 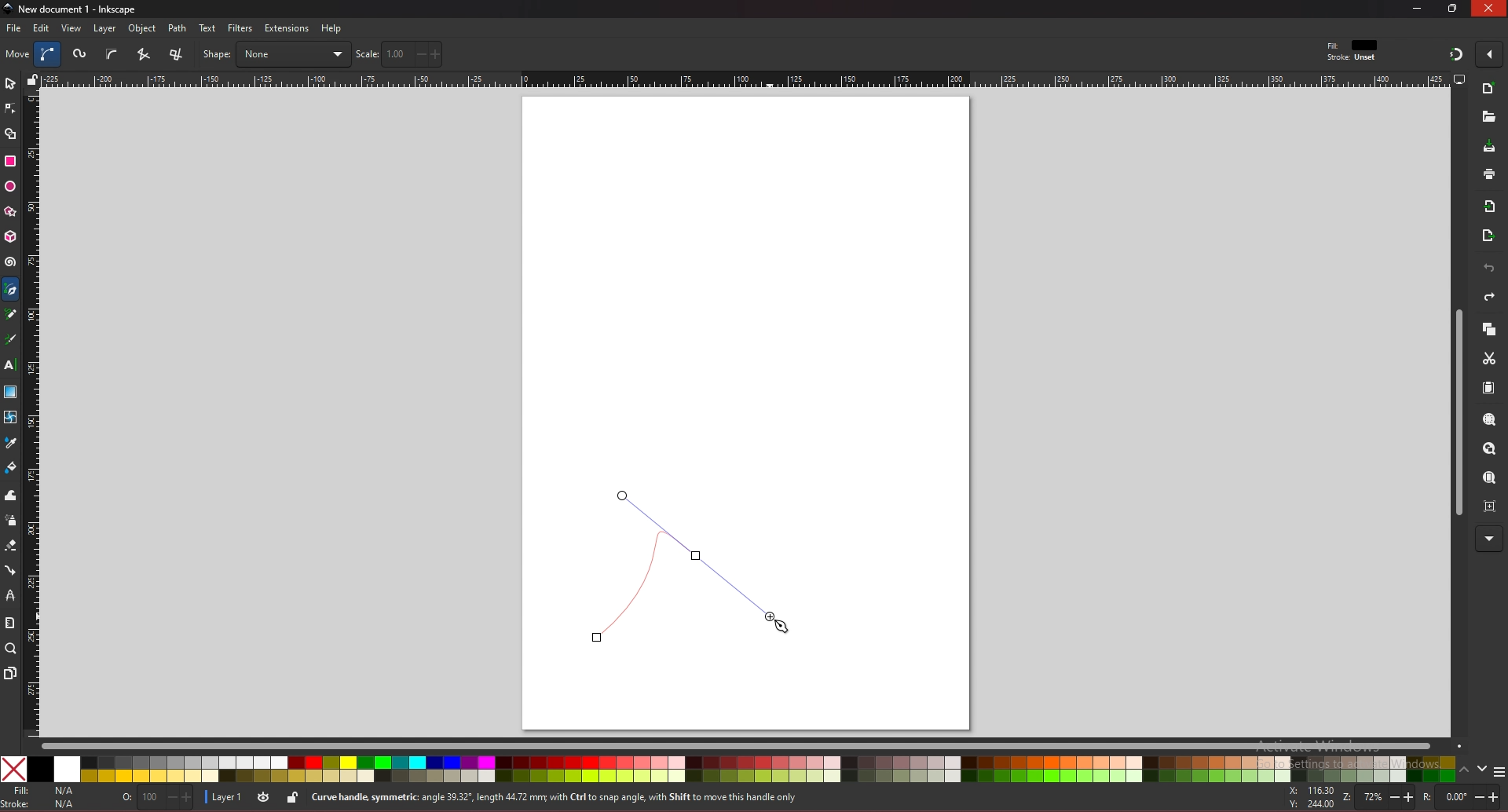 I want to click on move, so click(x=18, y=53).